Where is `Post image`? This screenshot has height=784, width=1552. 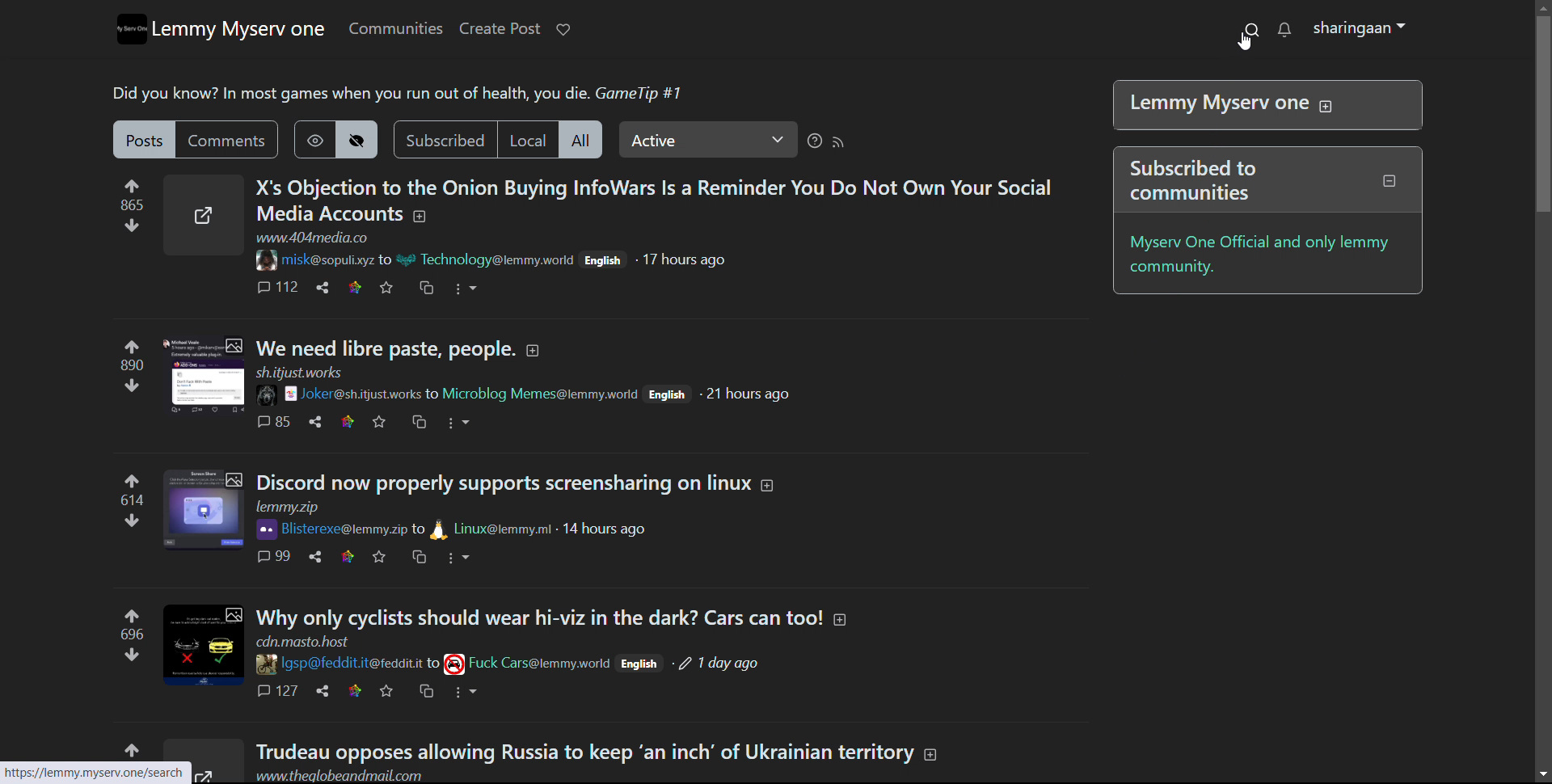 Post image is located at coordinates (197, 643).